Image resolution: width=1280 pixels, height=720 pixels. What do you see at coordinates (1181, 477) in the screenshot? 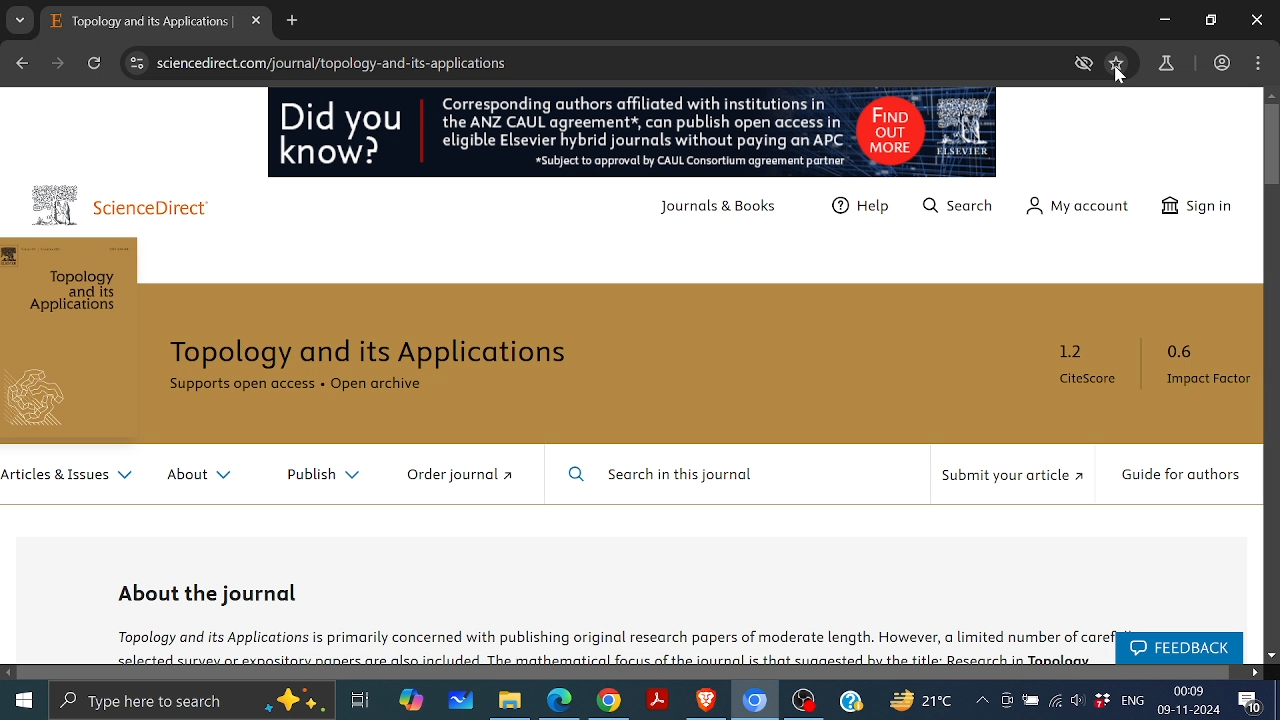
I see `guide for authors` at bounding box center [1181, 477].